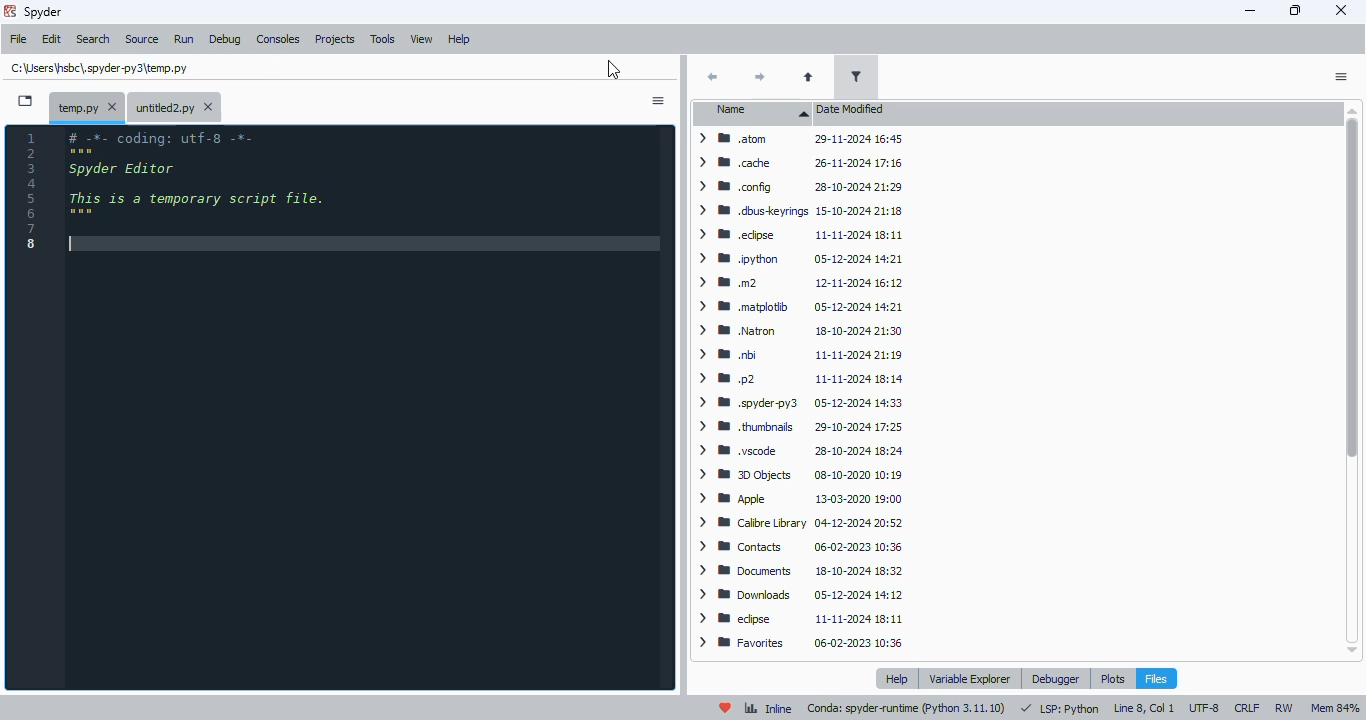 The image size is (1366, 720). What do you see at coordinates (849, 109) in the screenshot?
I see `date modified` at bounding box center [849, 109].